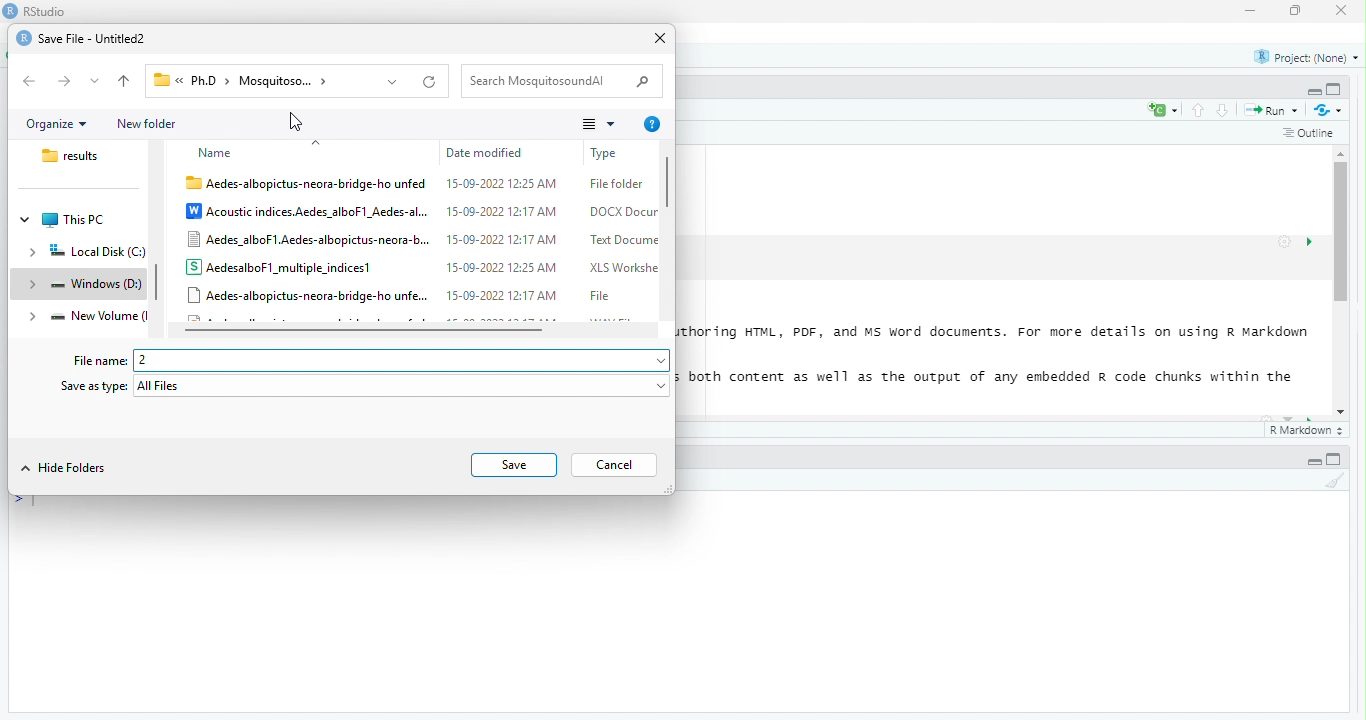 The width and height of the screenshot is (1366, 720). Describe the element at coordinates (543, 81) in the screenshot. I see `Search MosquitosoundAl` at that location.